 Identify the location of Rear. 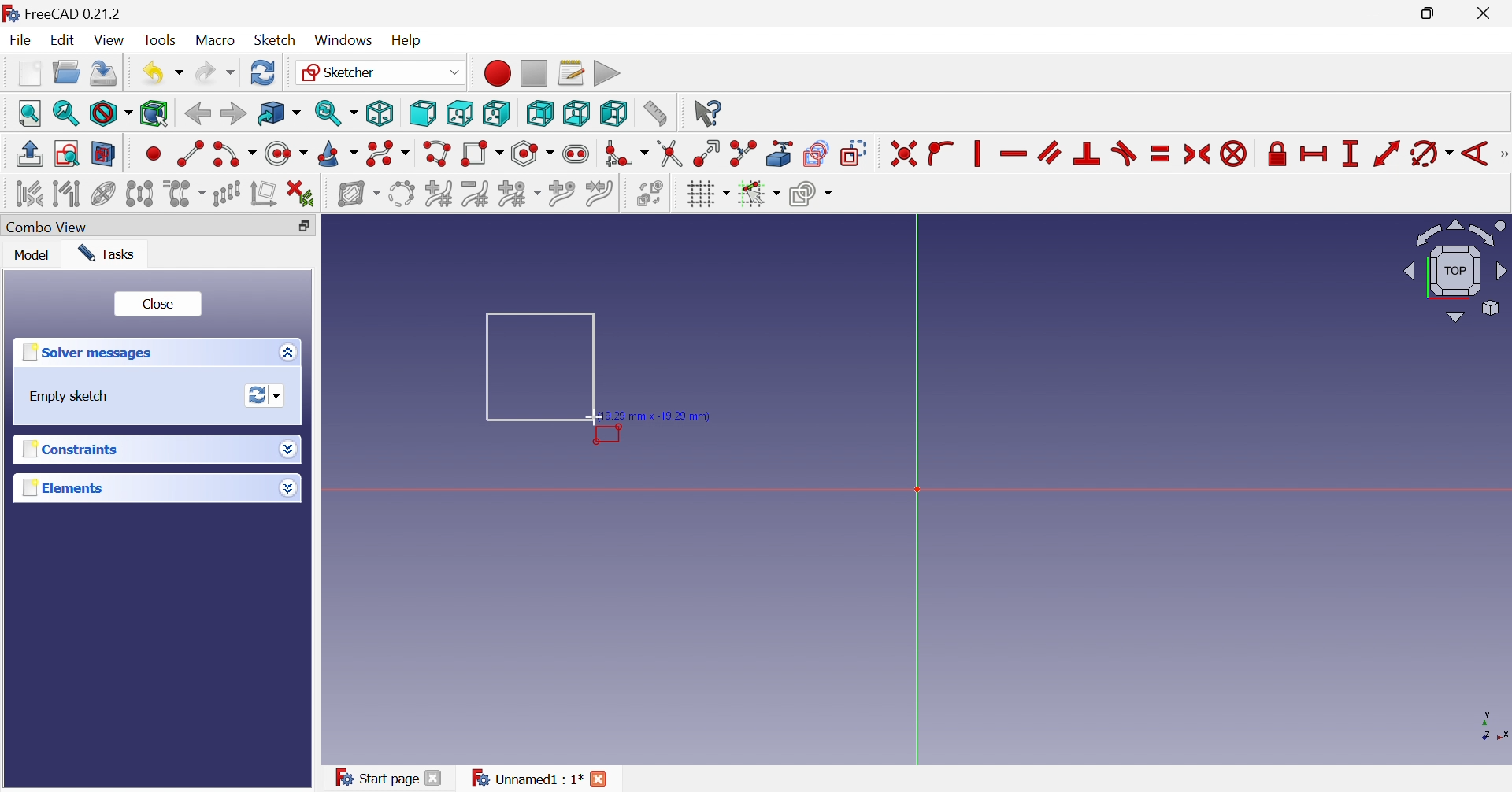
(539, 113).